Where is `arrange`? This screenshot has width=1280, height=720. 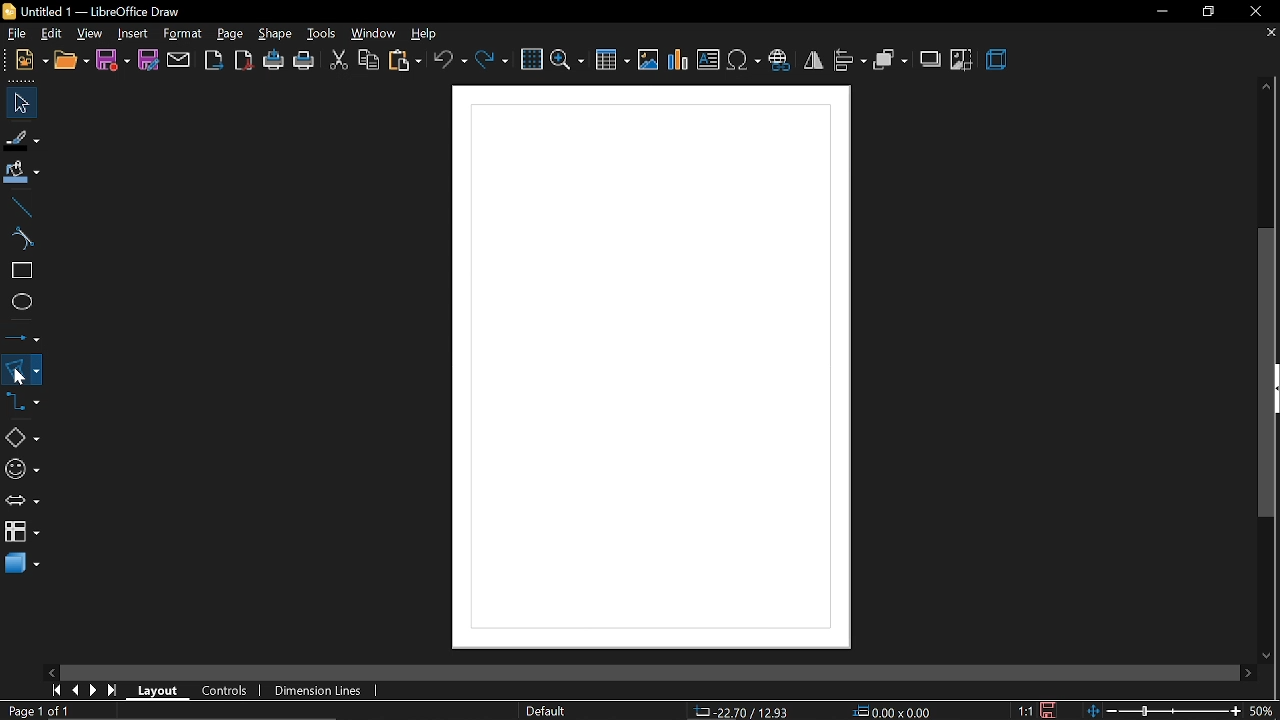
arrange is located at coordinates (890, 59).